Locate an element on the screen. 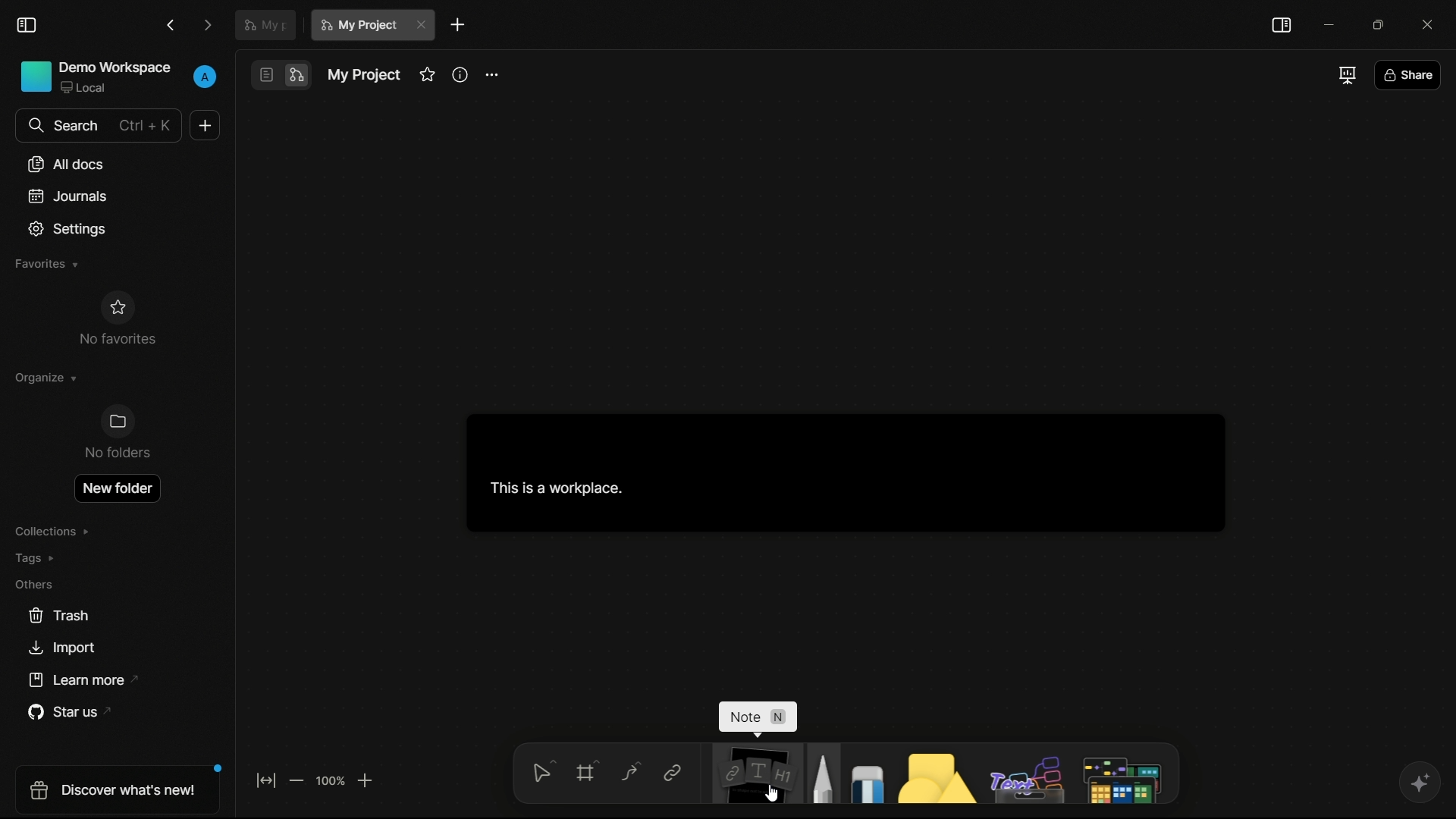 The width and height of the screenshot is (1456, 819). back is located at coordinates (172, 24).